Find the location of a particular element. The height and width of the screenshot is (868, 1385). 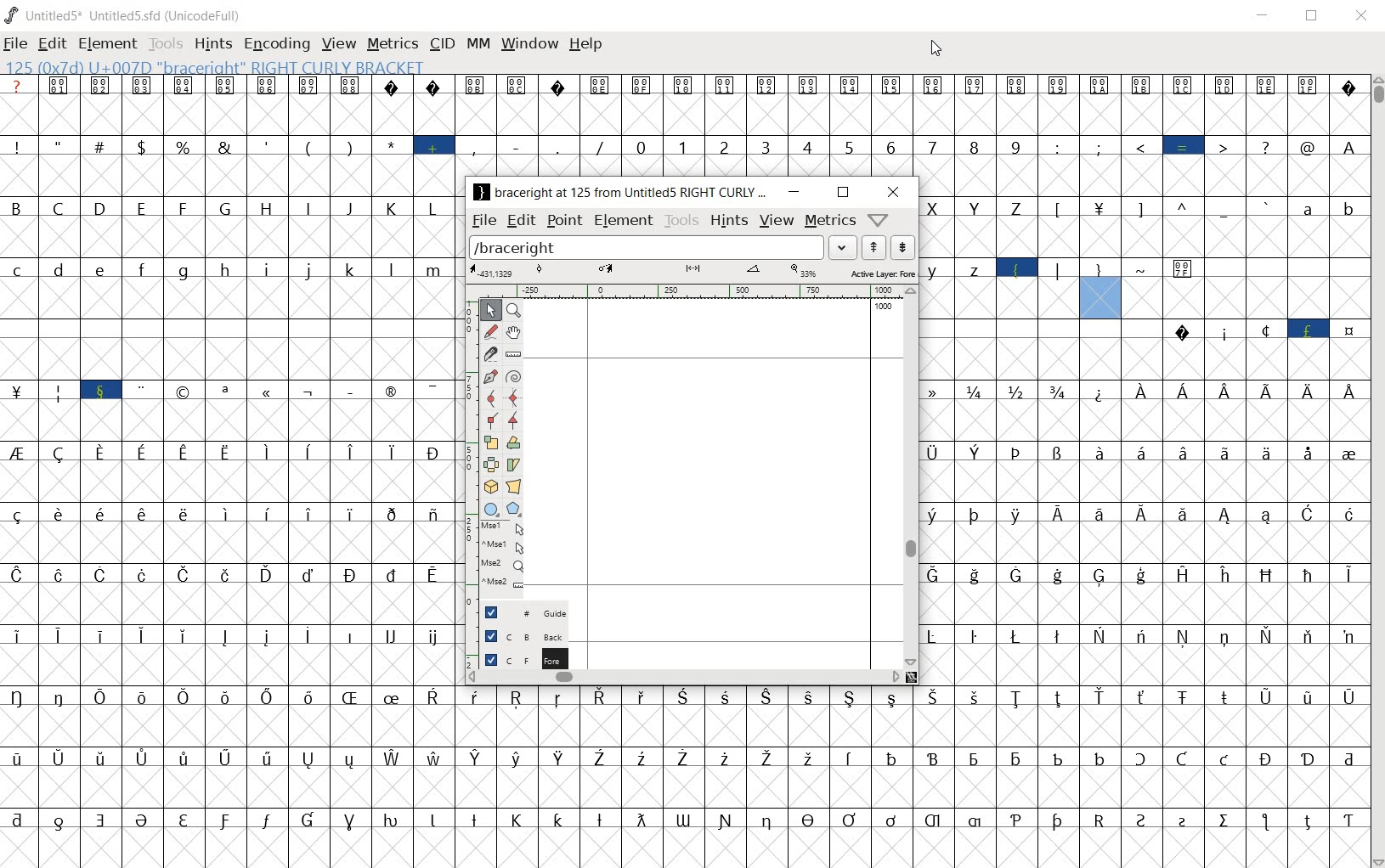

Rotate the selection is located at coordinates (513, 465).